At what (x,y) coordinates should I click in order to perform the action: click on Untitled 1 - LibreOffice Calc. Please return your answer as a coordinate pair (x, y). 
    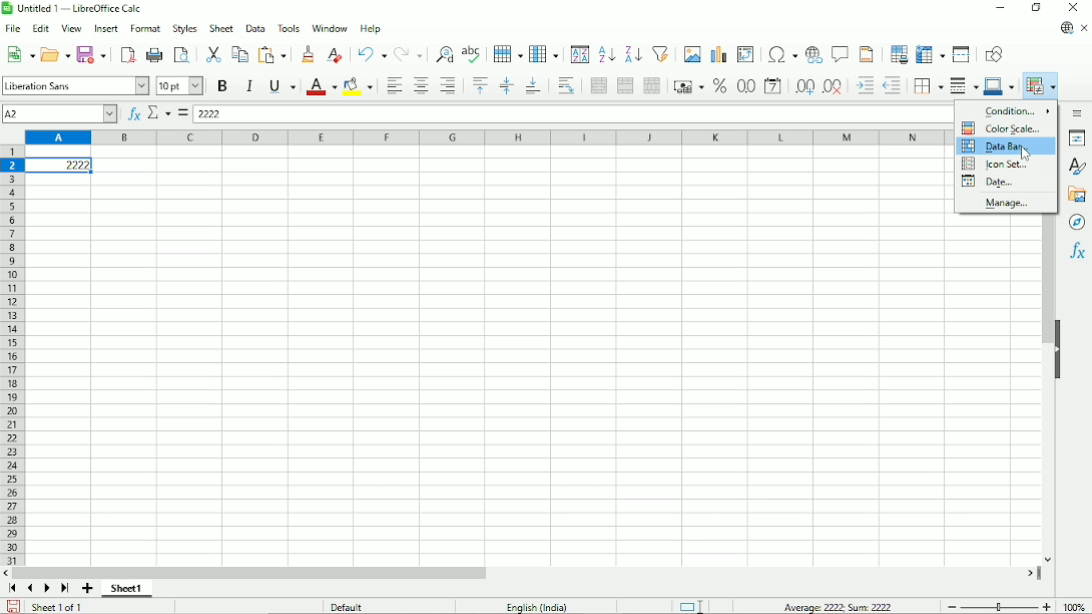
    Looking at the image, I should click on (76, 8).